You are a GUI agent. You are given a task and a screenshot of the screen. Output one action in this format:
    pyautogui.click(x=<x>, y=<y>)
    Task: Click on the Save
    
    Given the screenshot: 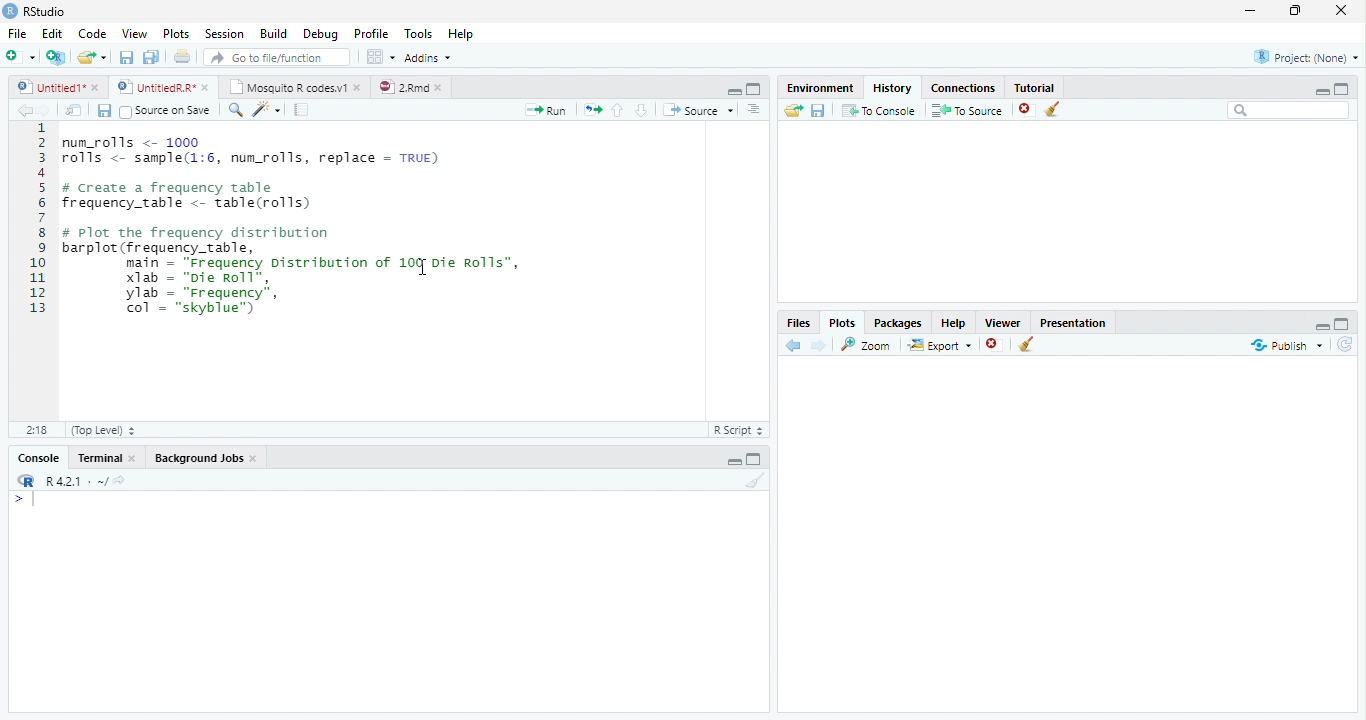 What is the action you would take?
    pyautogui.click(x=103, y=110)
    